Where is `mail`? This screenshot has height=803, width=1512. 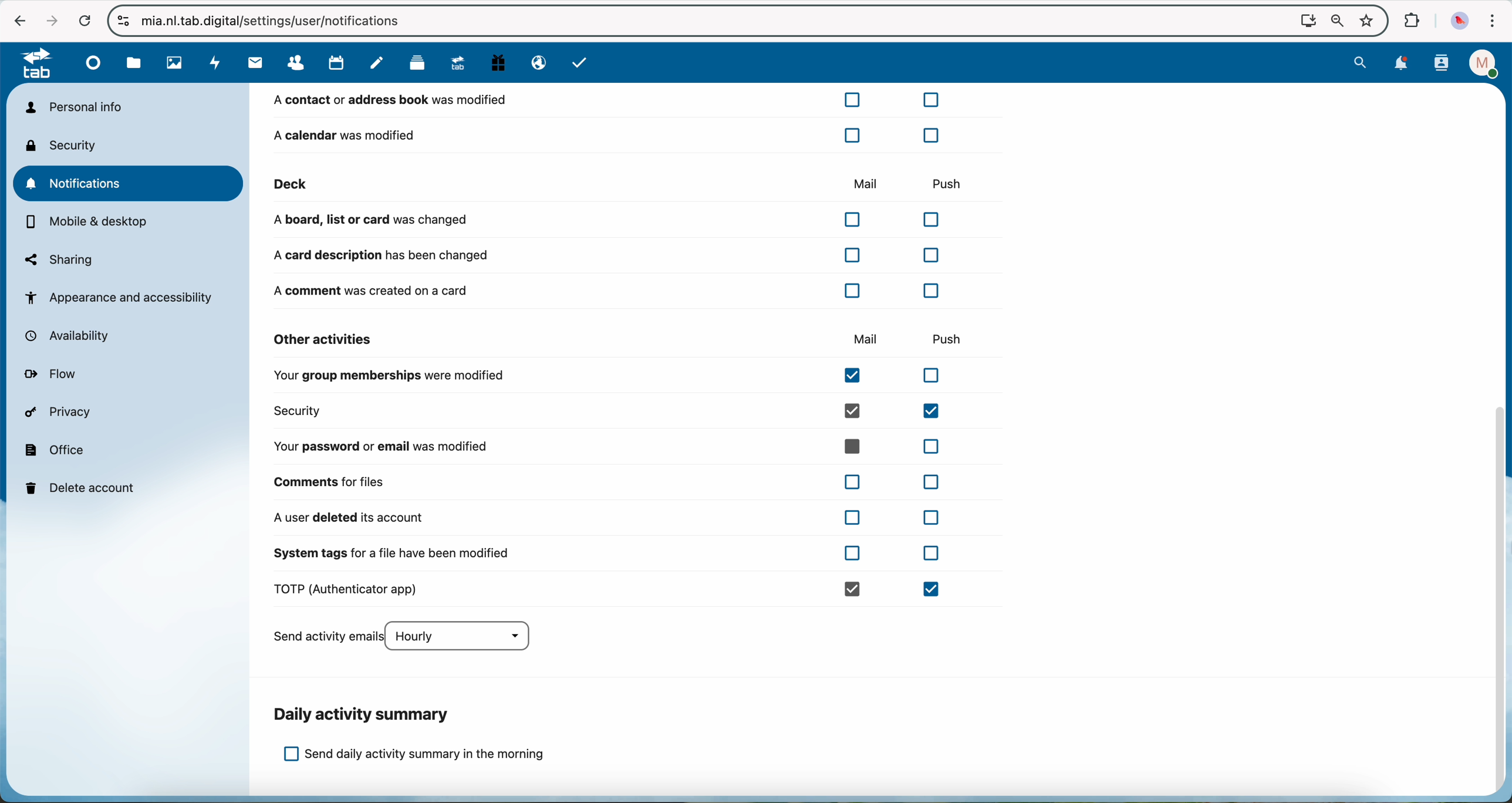
mail is located at coordinates (866, 340).